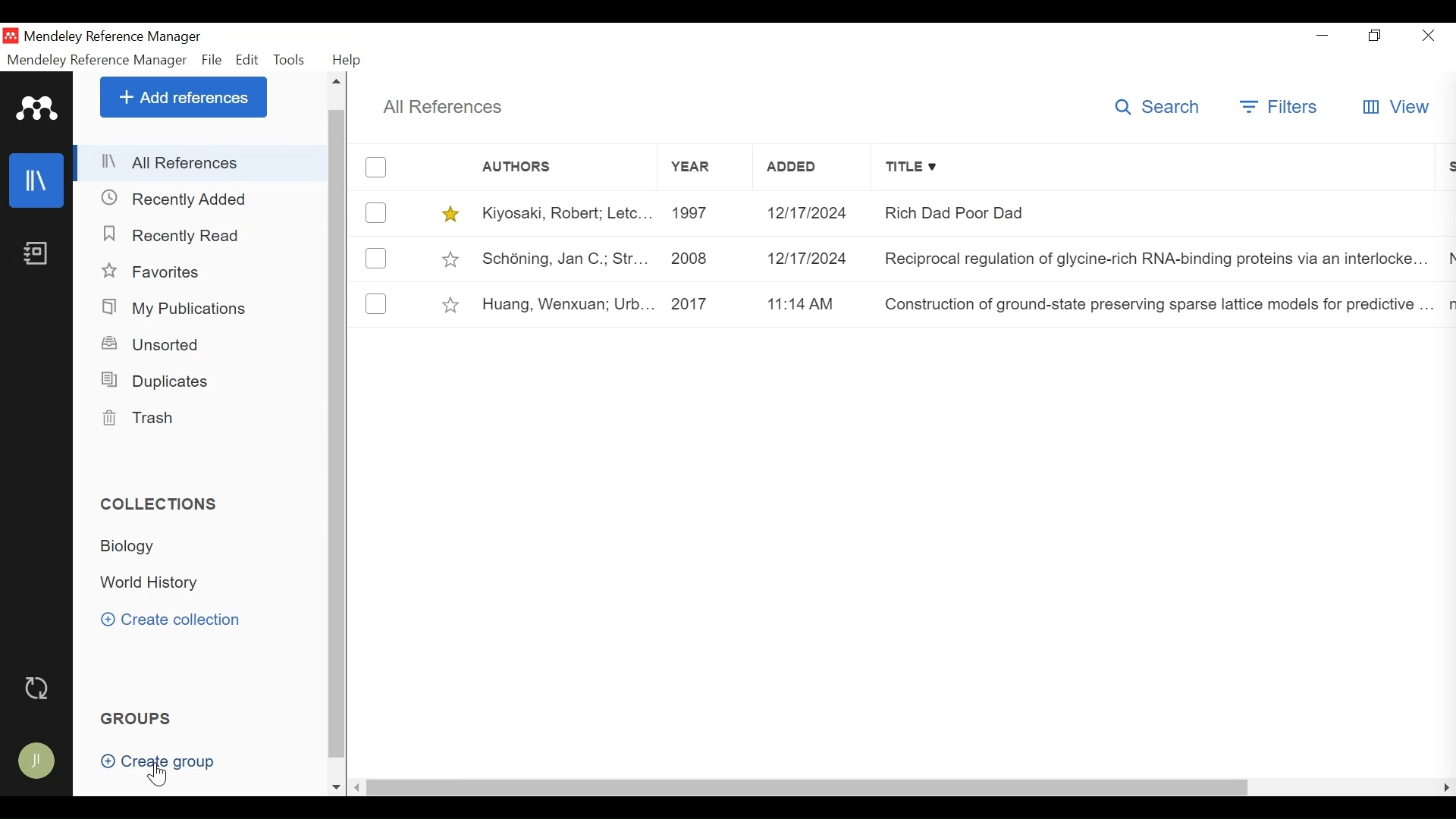 The height and width of the screenshot is (819, 1456). What do you see at coordinates (338, 81) in the screenshot?
I see `Scroll up` at bounding box center [338, 81].